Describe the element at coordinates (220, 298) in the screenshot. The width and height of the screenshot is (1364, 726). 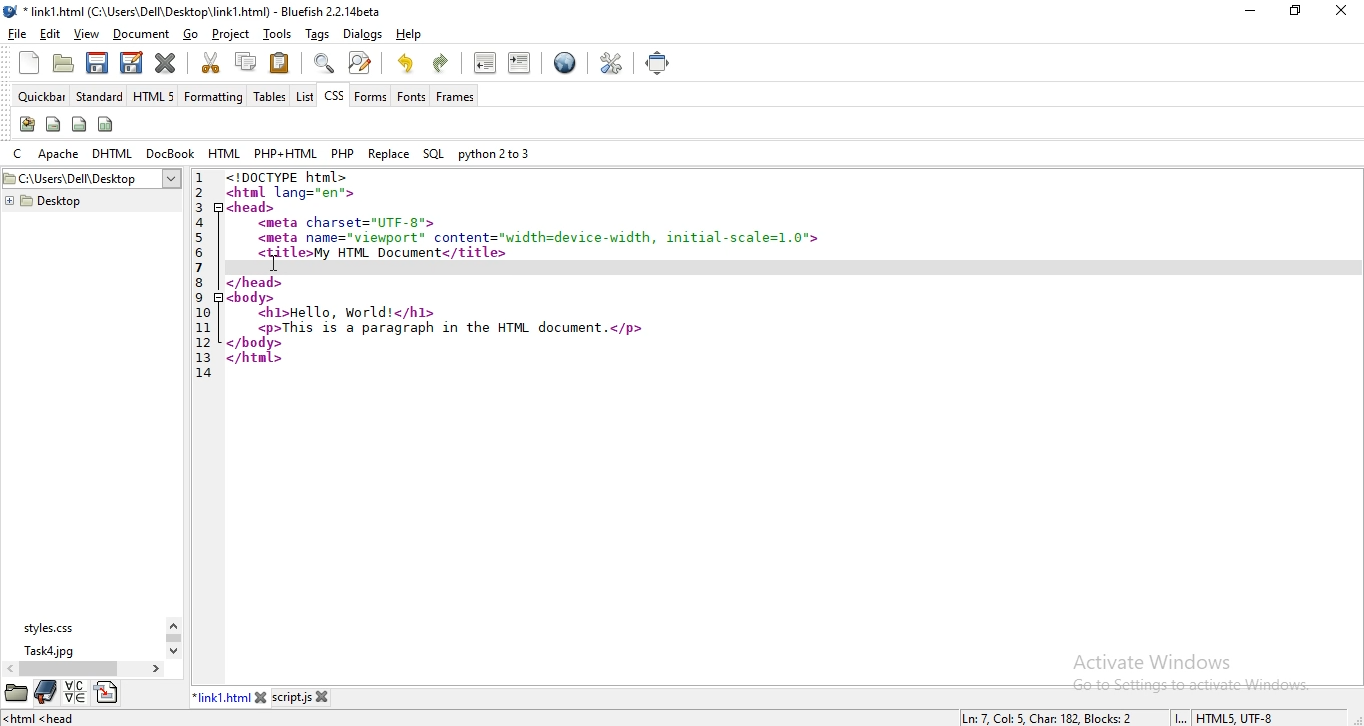
I see `code fold` at that location.